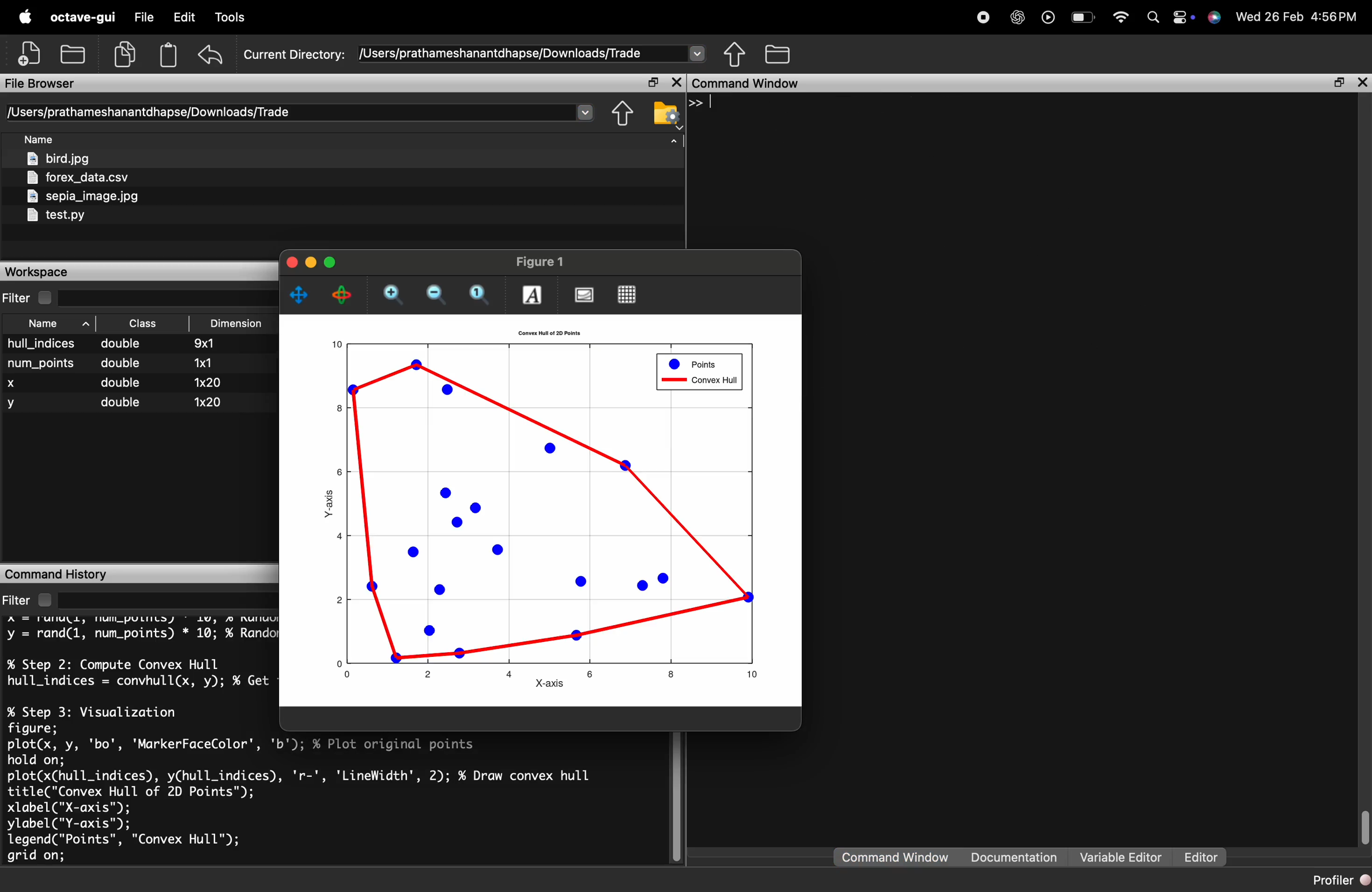  Describe the element at coordinates (438, 295) in the screenshot. I see `zoom out` at that location.